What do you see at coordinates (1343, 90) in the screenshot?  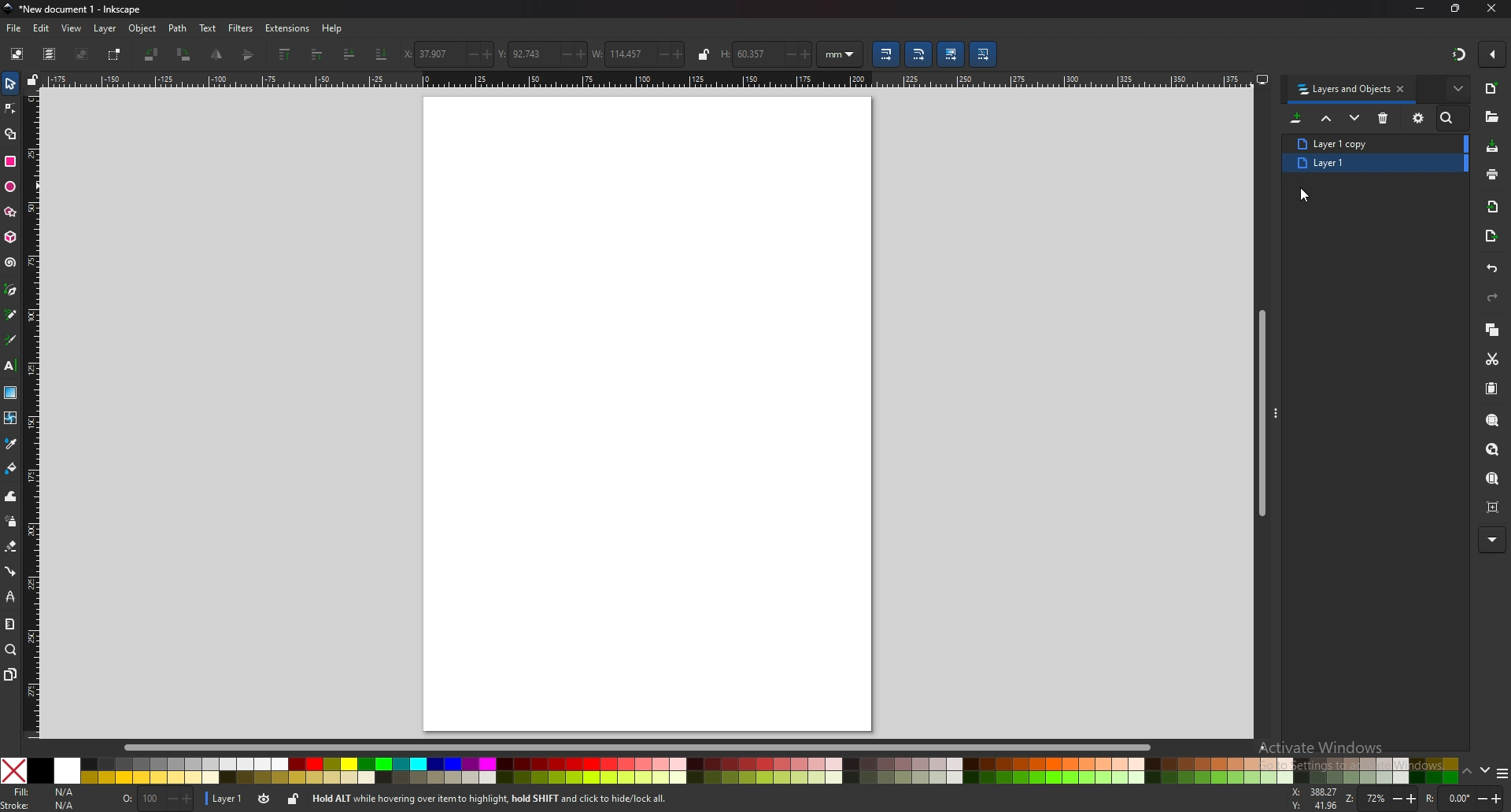 I see `layers and objects` at bounding box center [1343, 90].